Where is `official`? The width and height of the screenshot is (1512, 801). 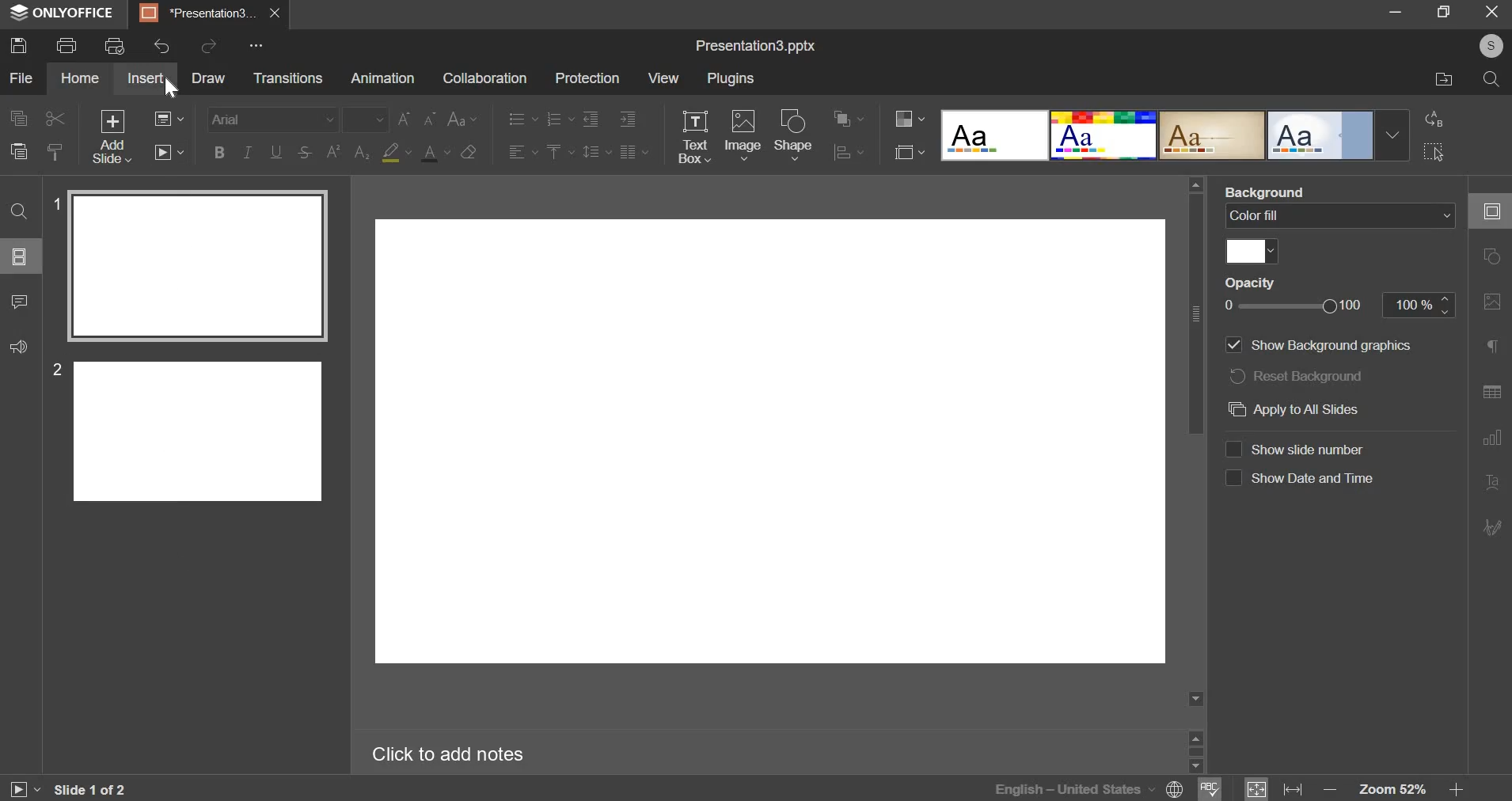
official is located at coordinates (1321, 135).